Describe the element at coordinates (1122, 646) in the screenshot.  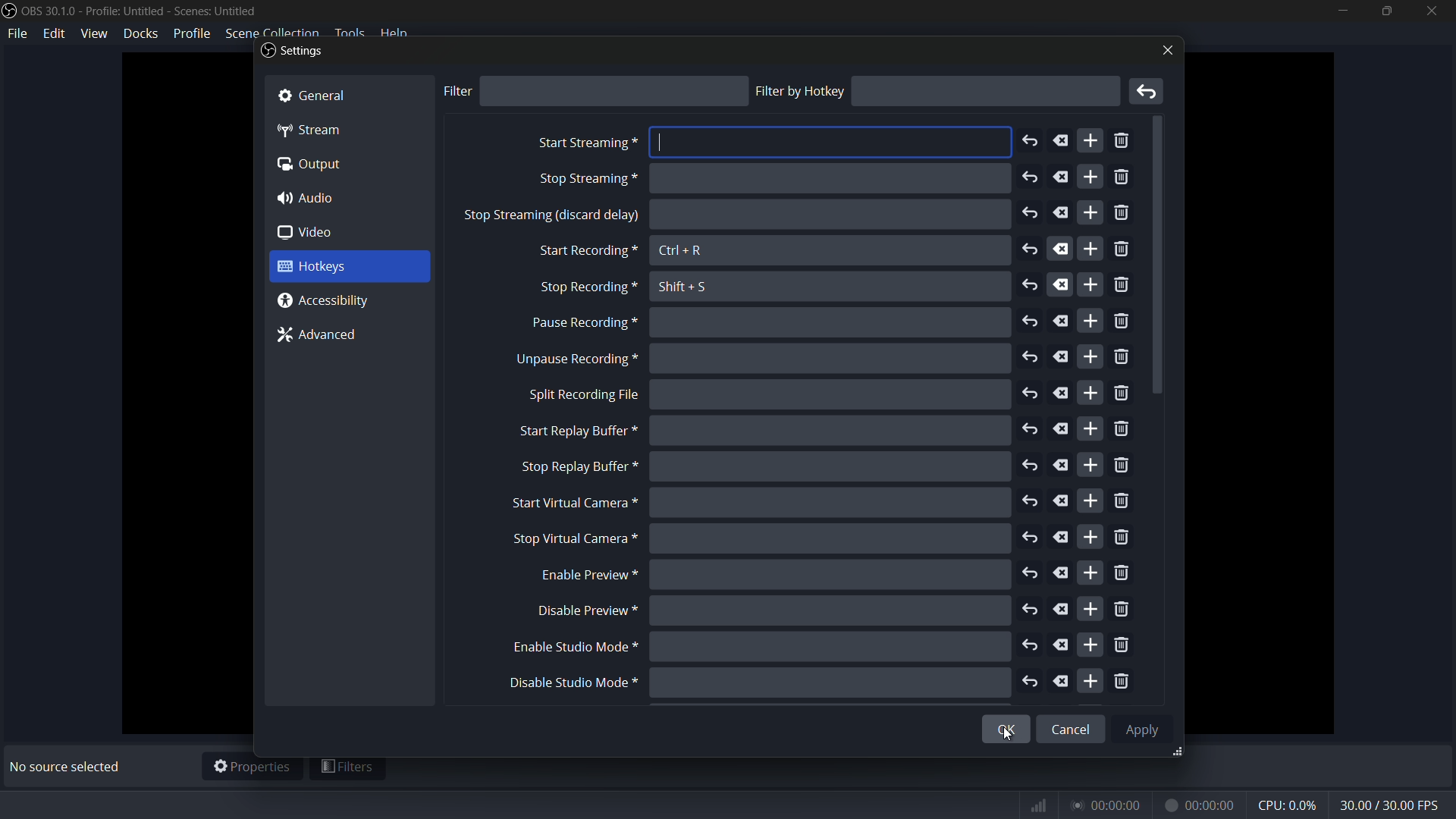
I see `remove` at that location.